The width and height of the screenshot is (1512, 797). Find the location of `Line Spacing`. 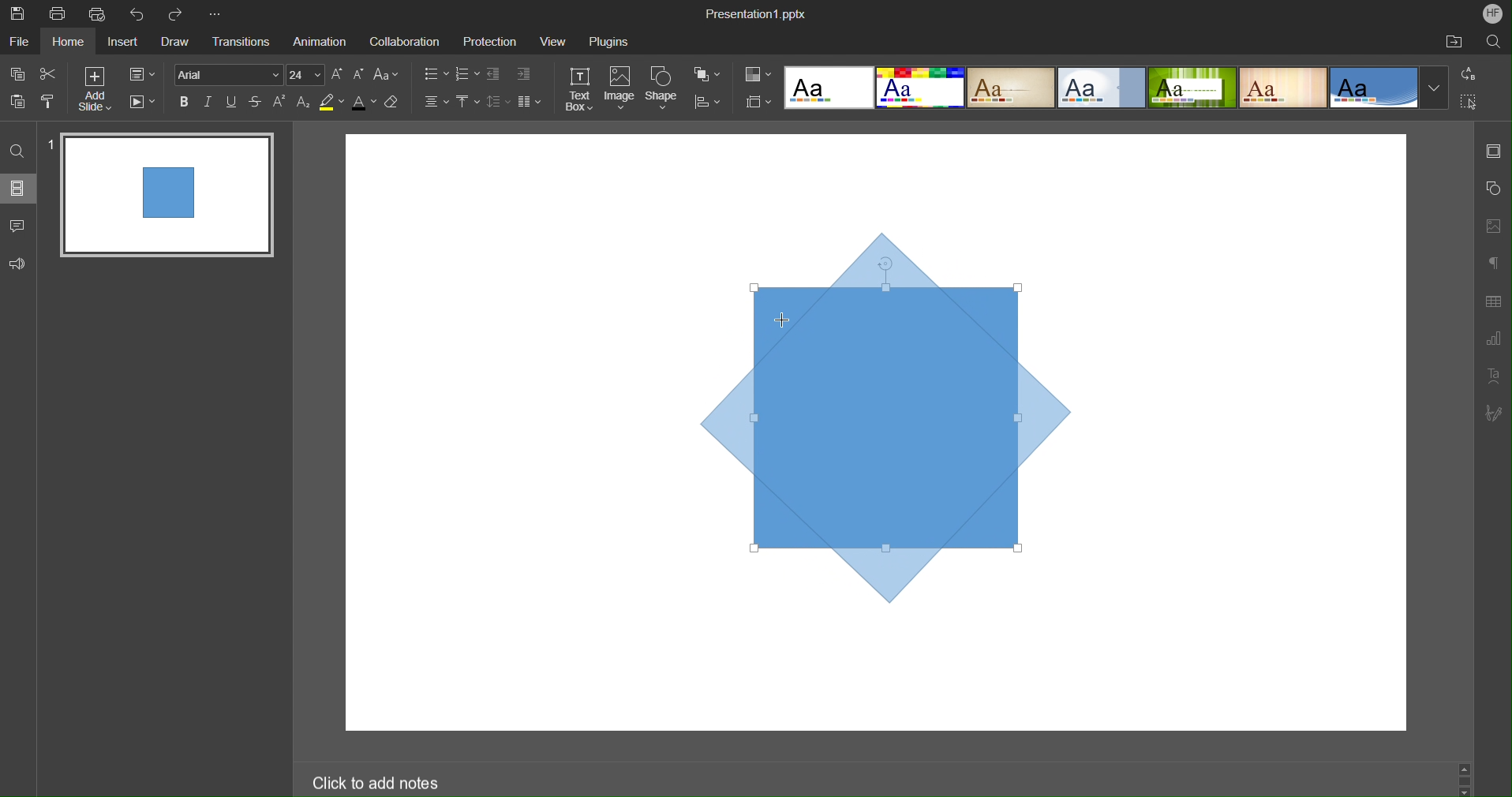

Line Spacing is located at coordinates (499, 101).